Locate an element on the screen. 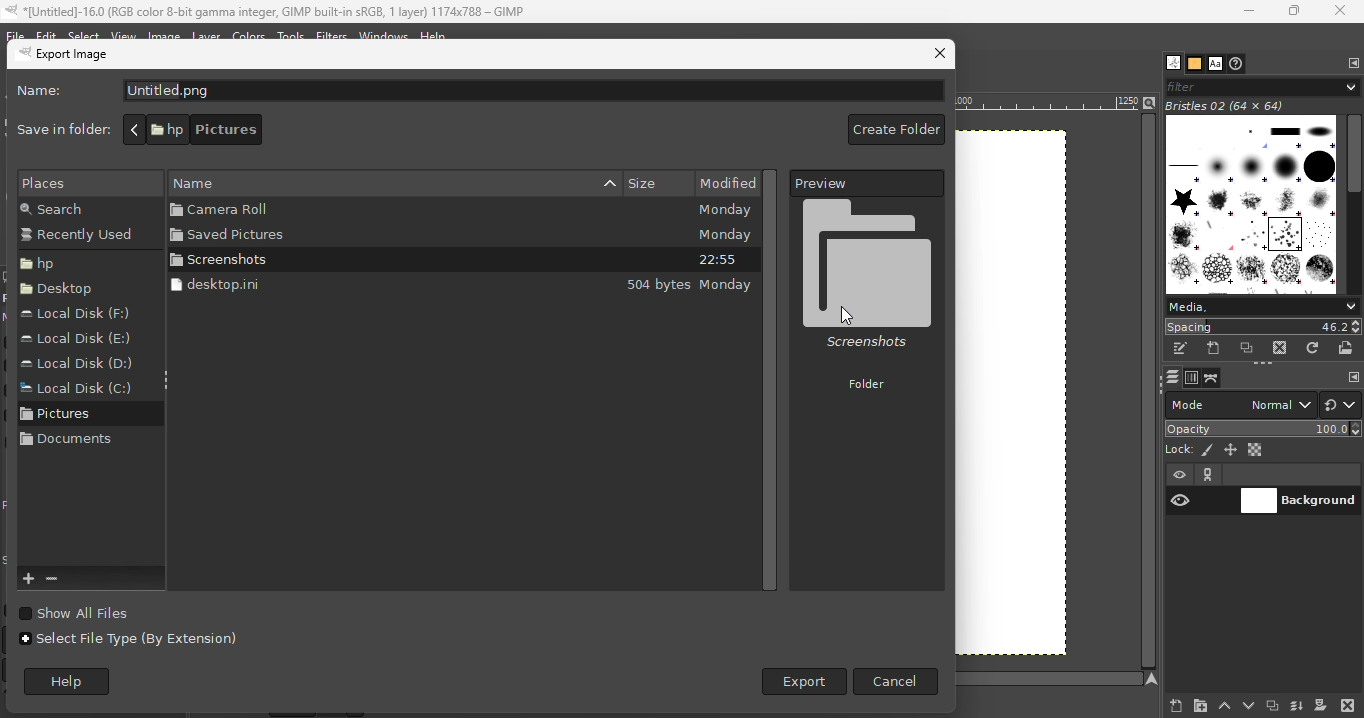 The image size is (1364, 718). Saved pictures folder is located at coordinates (353, 235).